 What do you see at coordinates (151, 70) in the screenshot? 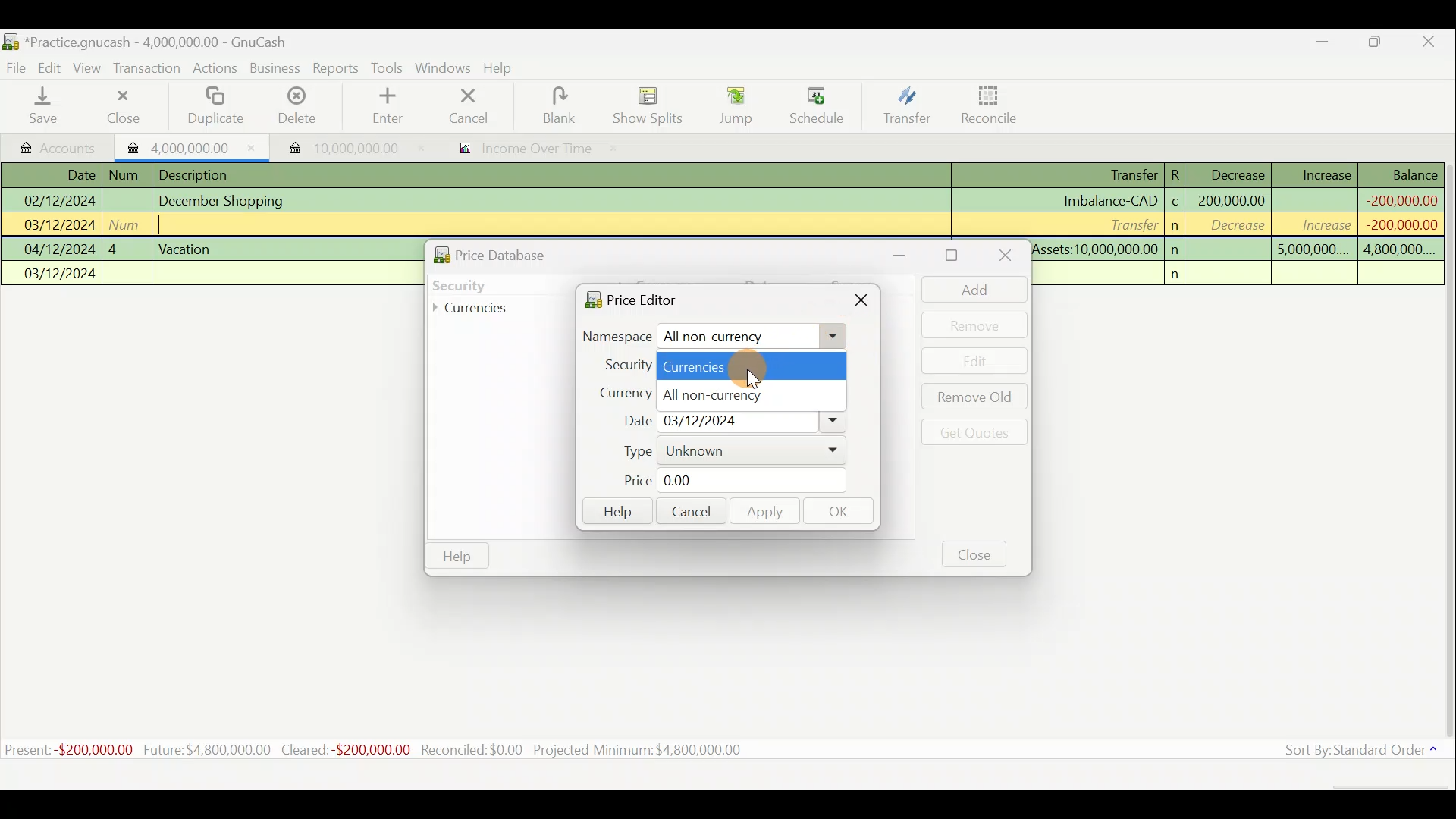
I see `Transaction` at bounding box center [151, 70].